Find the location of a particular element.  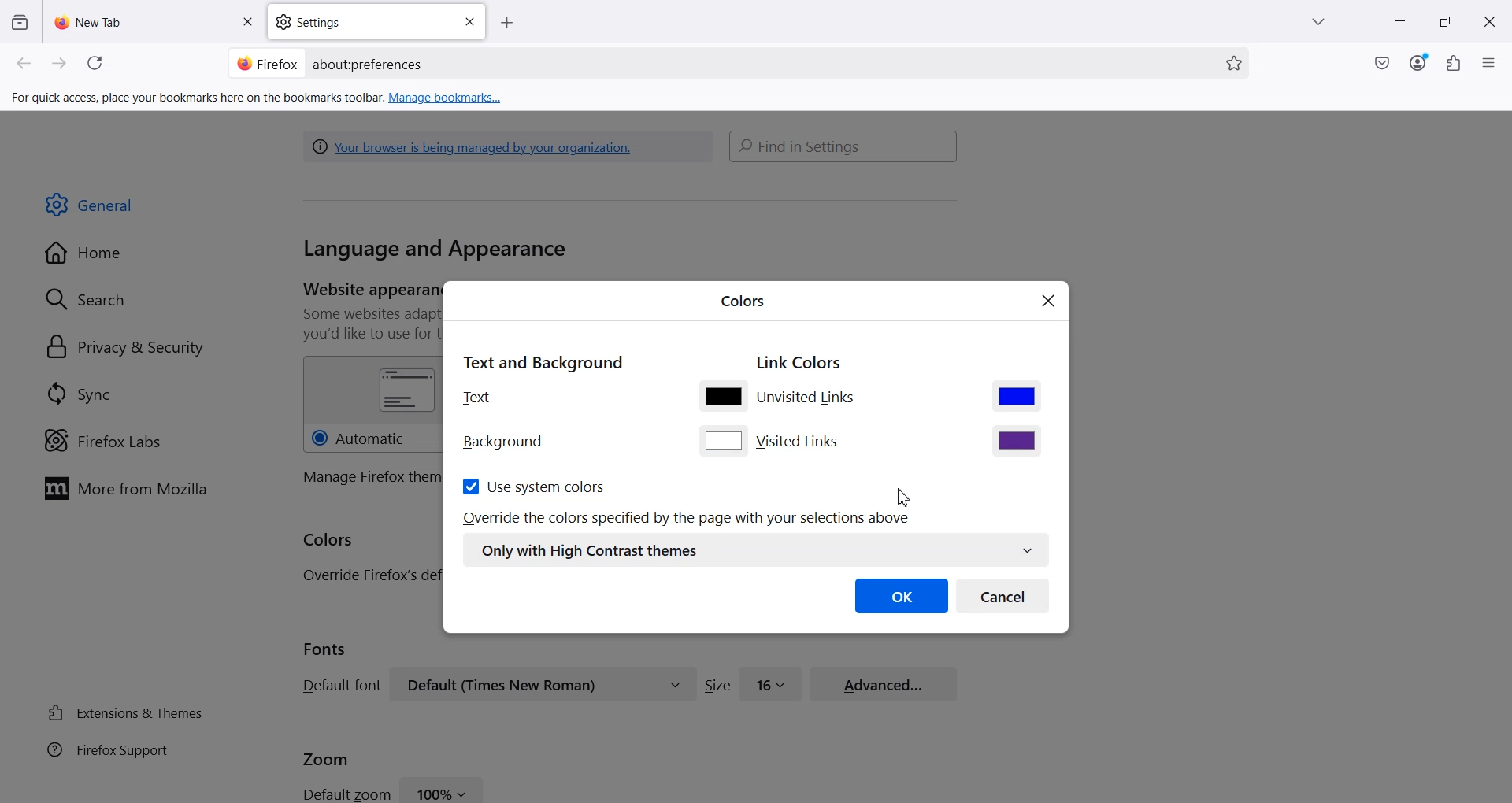

OK is located at coordinates (902, 595).